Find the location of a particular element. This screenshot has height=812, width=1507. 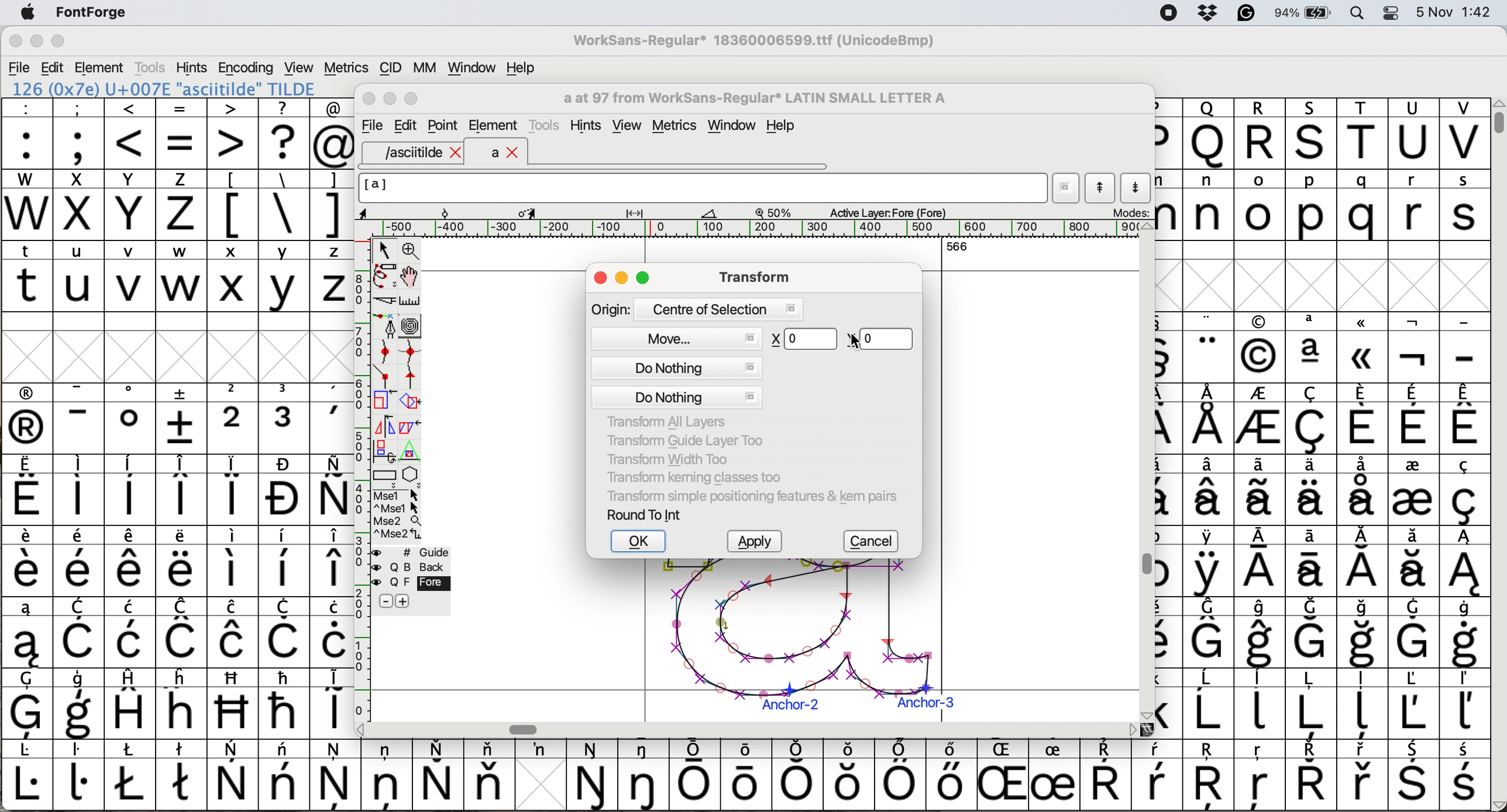

W is located at coordinates (29, 205).